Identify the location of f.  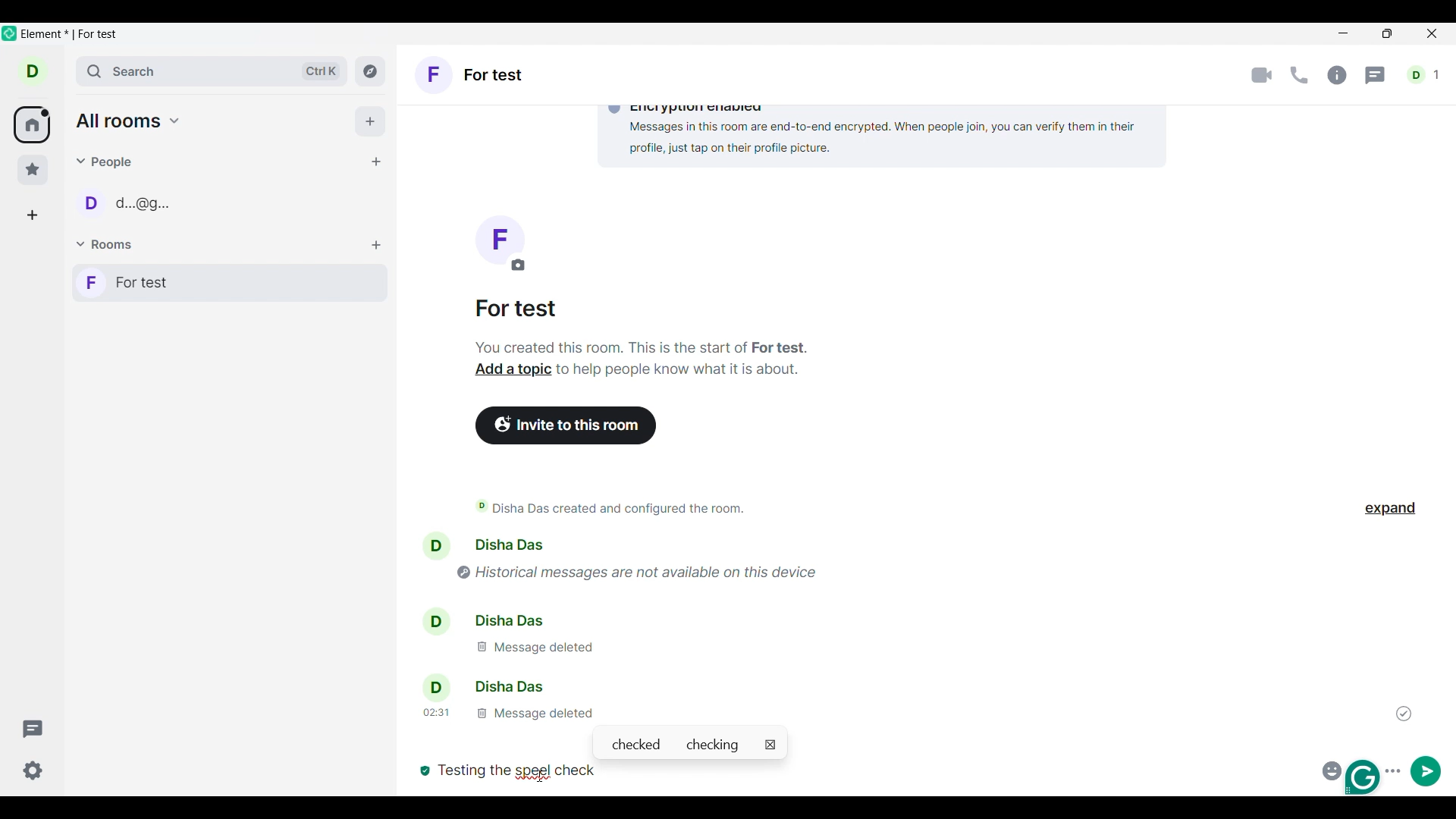
(499, 243).